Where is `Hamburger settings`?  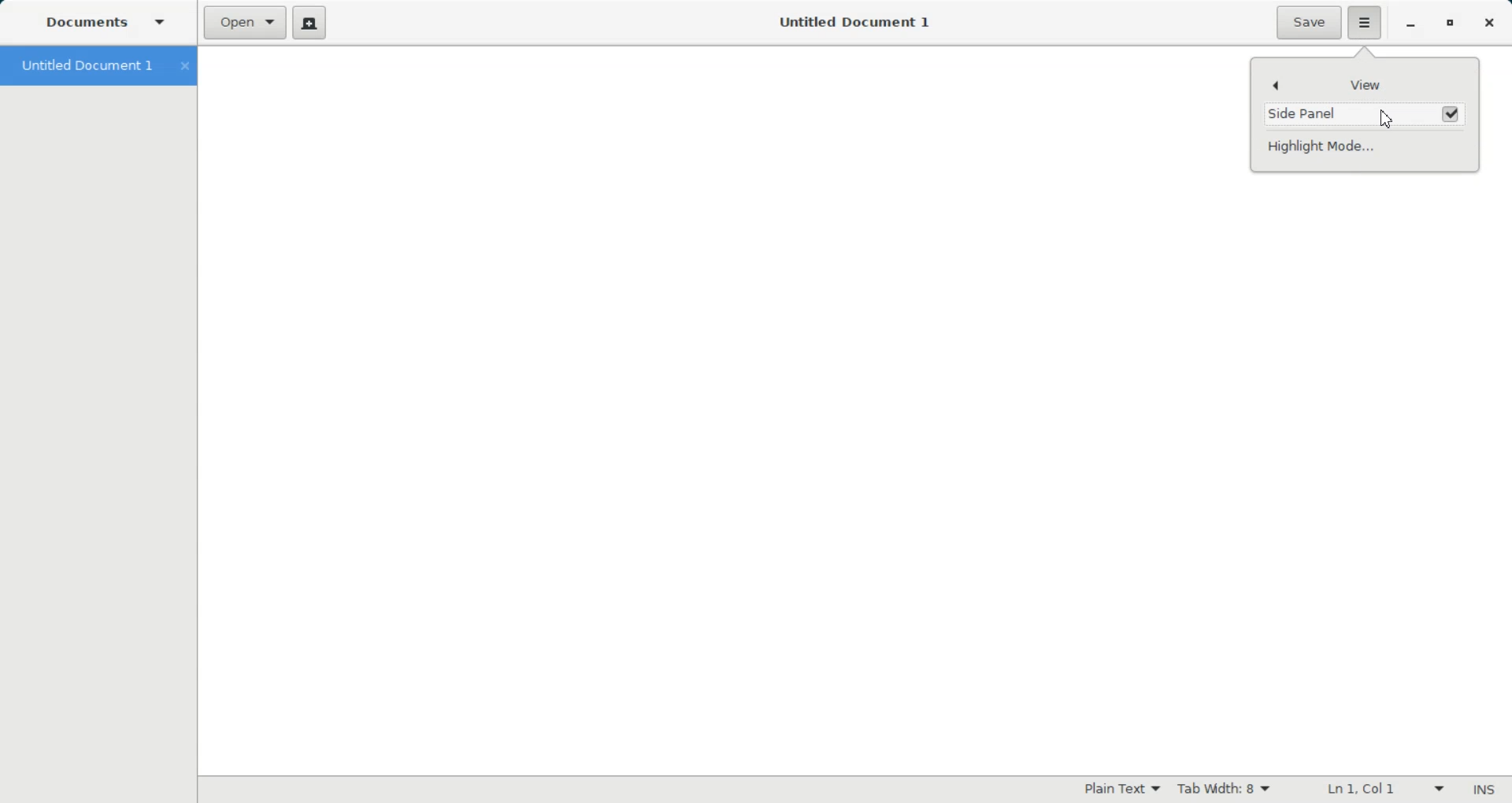 Hamburger settings is located at coordinates (1366, 23).